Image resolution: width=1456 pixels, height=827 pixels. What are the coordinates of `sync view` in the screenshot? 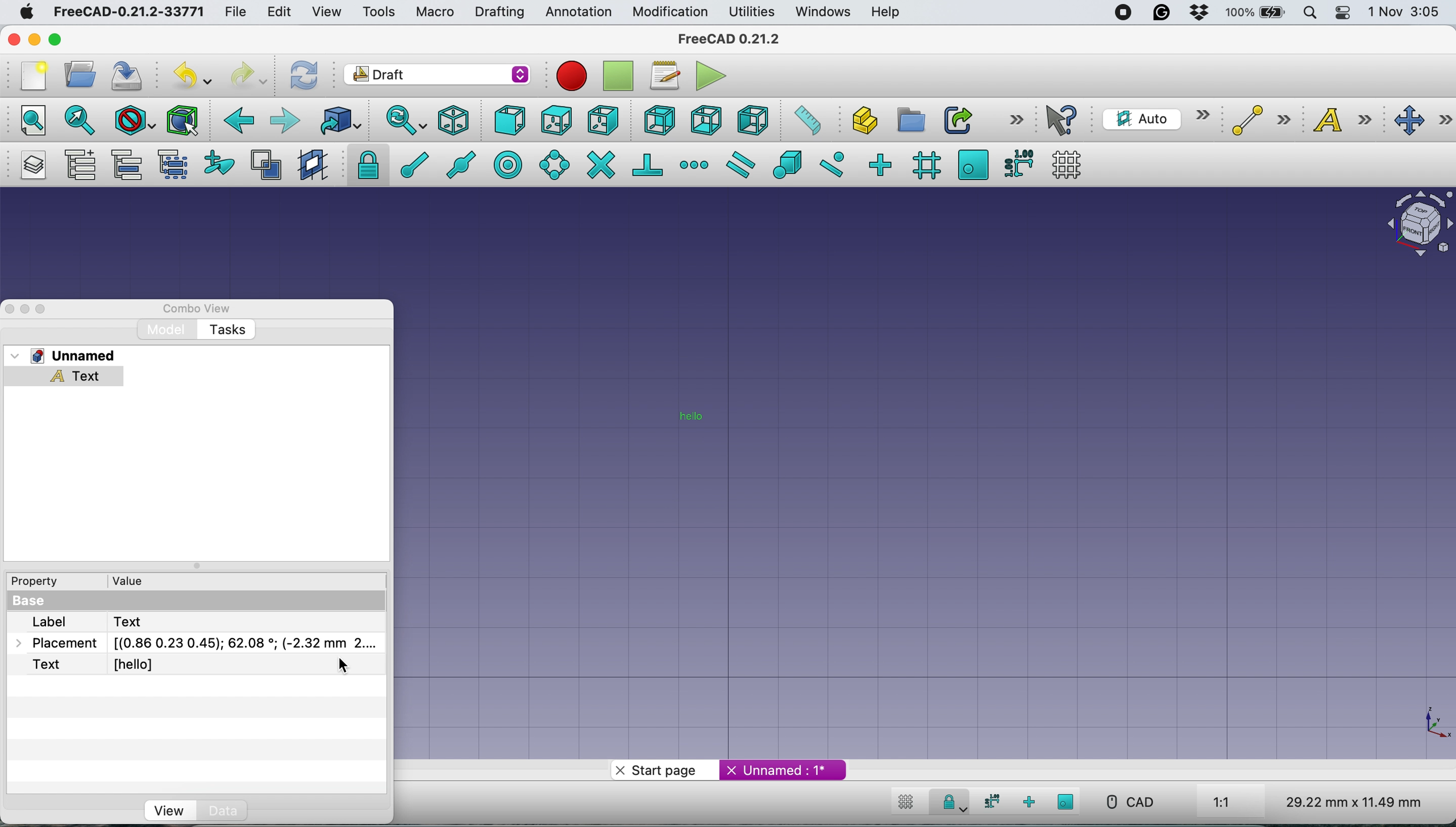 It's located at (405, 120).